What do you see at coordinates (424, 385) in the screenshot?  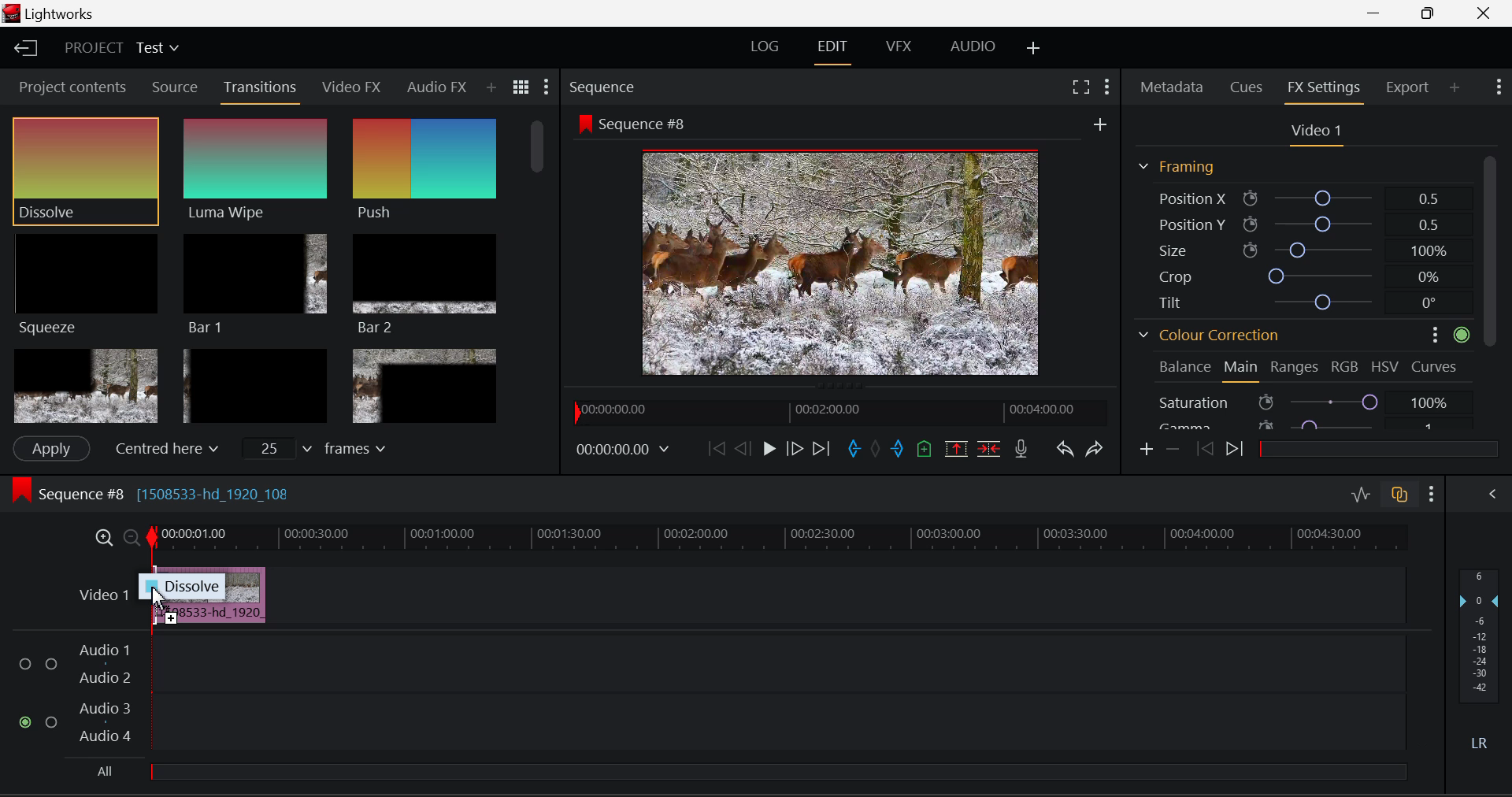 I see `Box 3` at bounding box center [424, 385].